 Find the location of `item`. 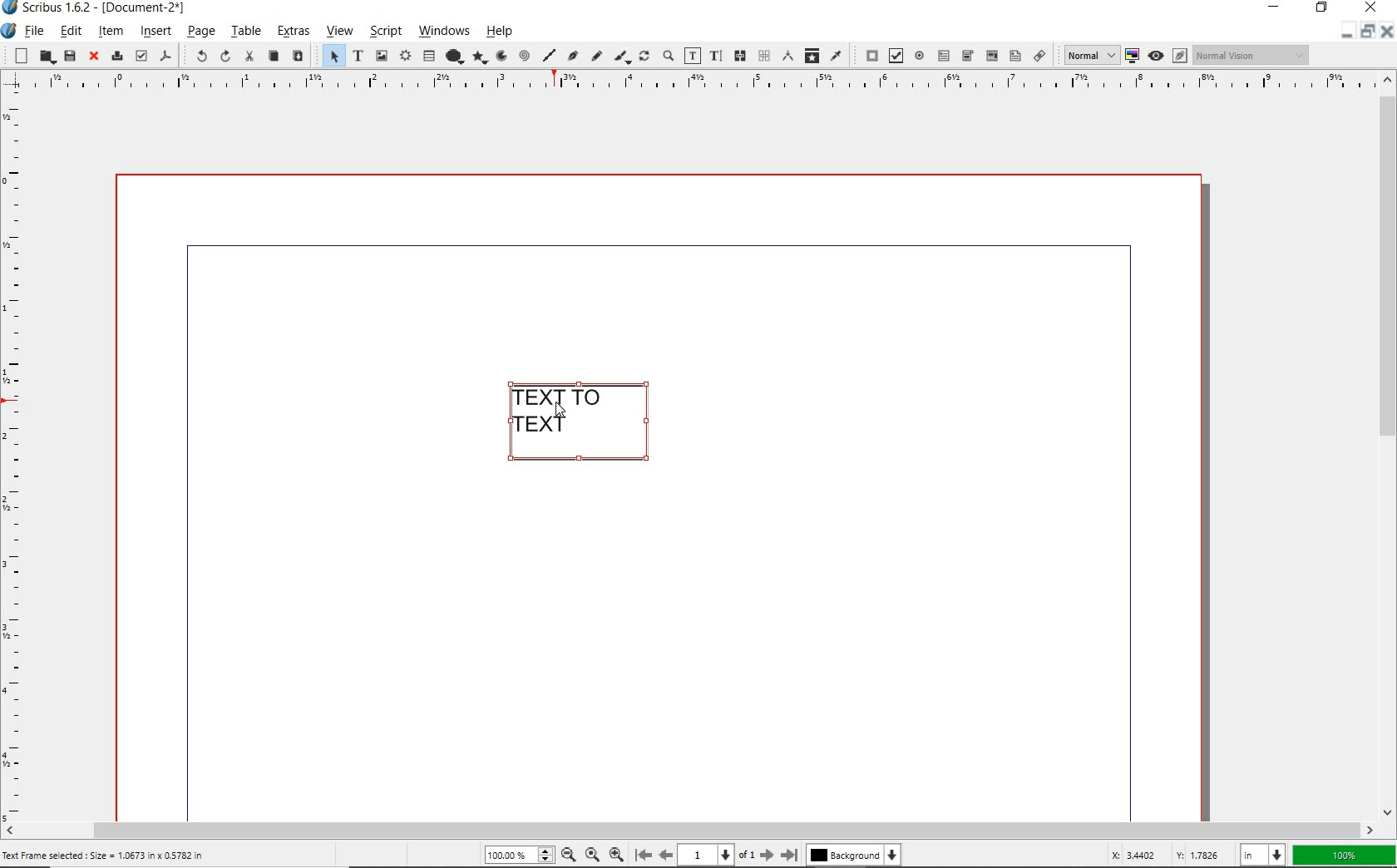

item is located at coordinates (109, 32).